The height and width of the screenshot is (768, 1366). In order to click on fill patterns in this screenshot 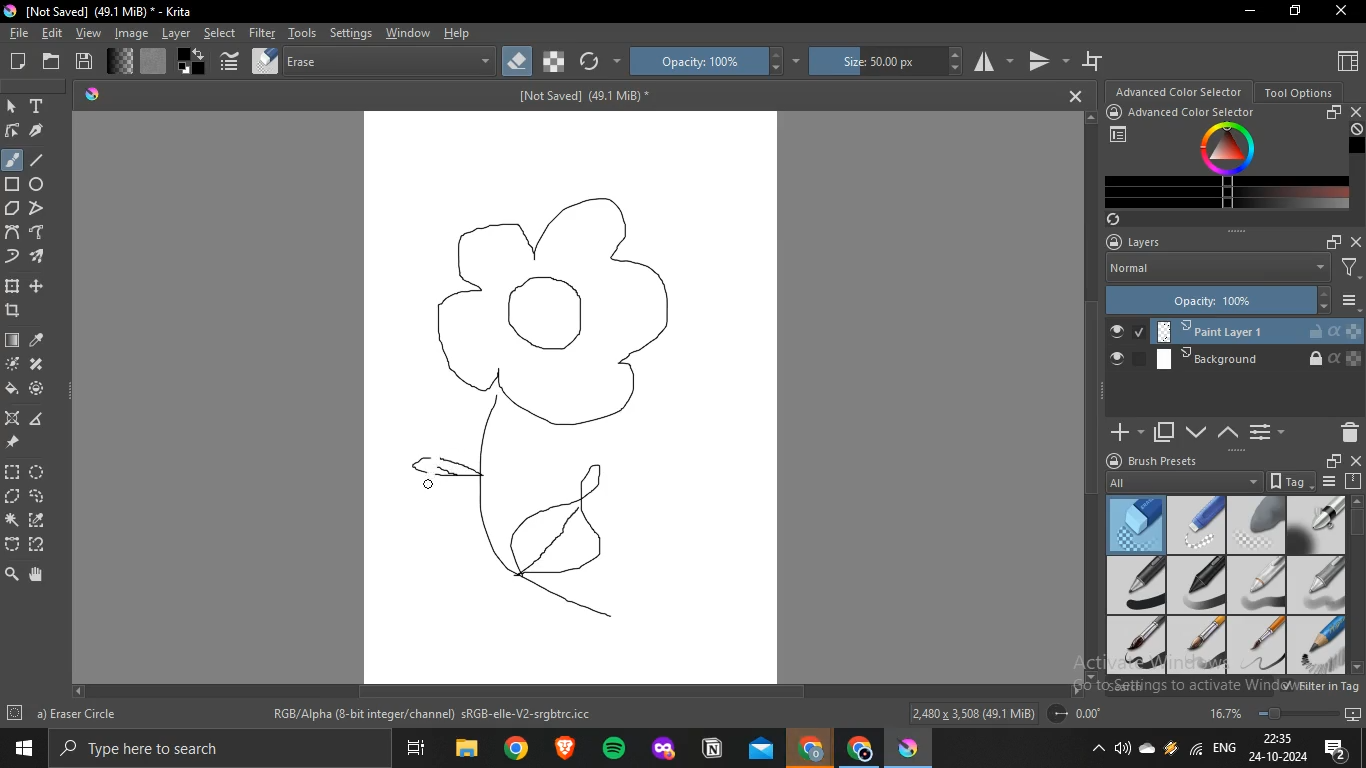, I will do `click(156, 61)`.